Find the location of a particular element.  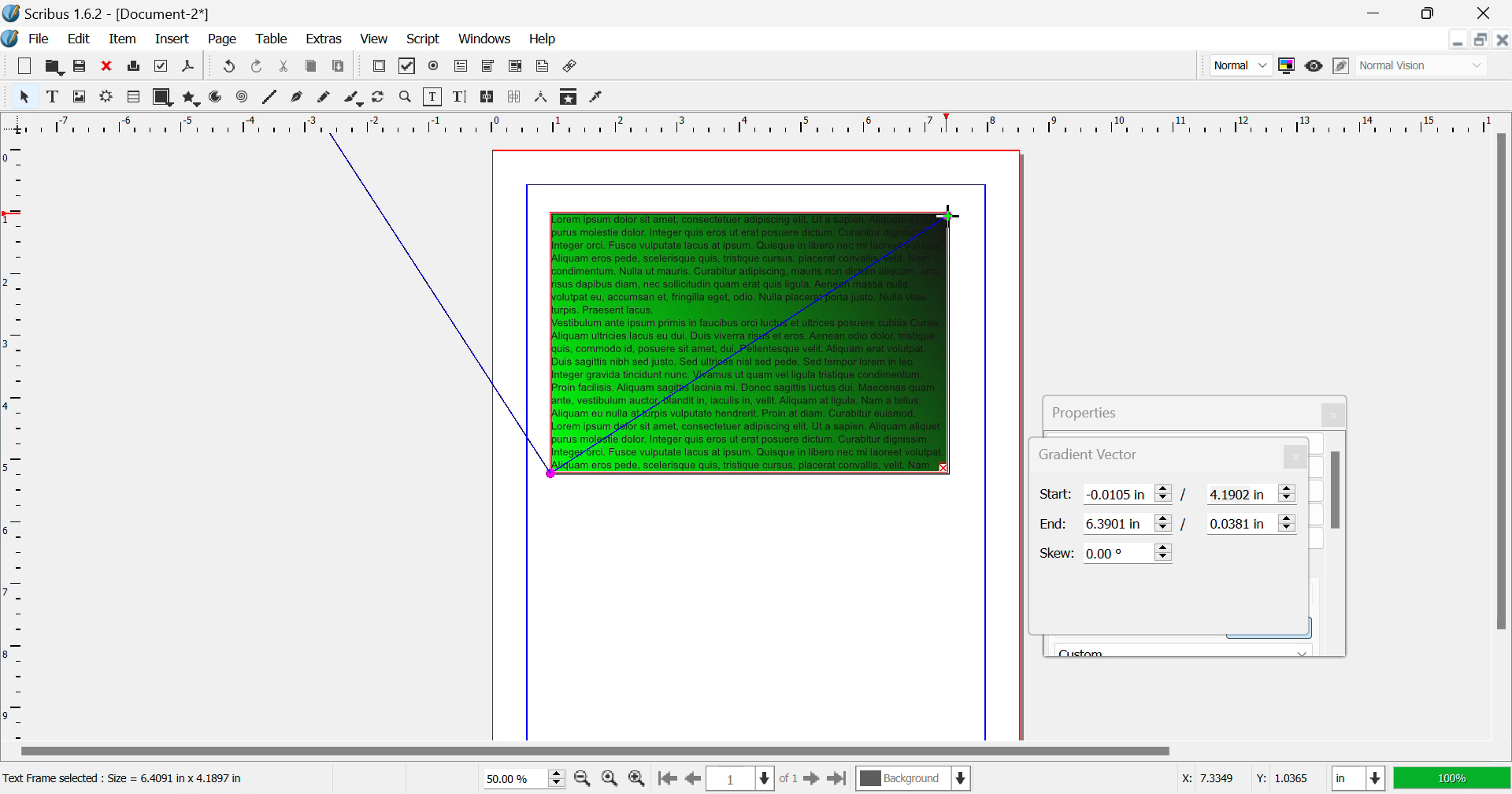

Render Frame is located at coordinates (106, 98).